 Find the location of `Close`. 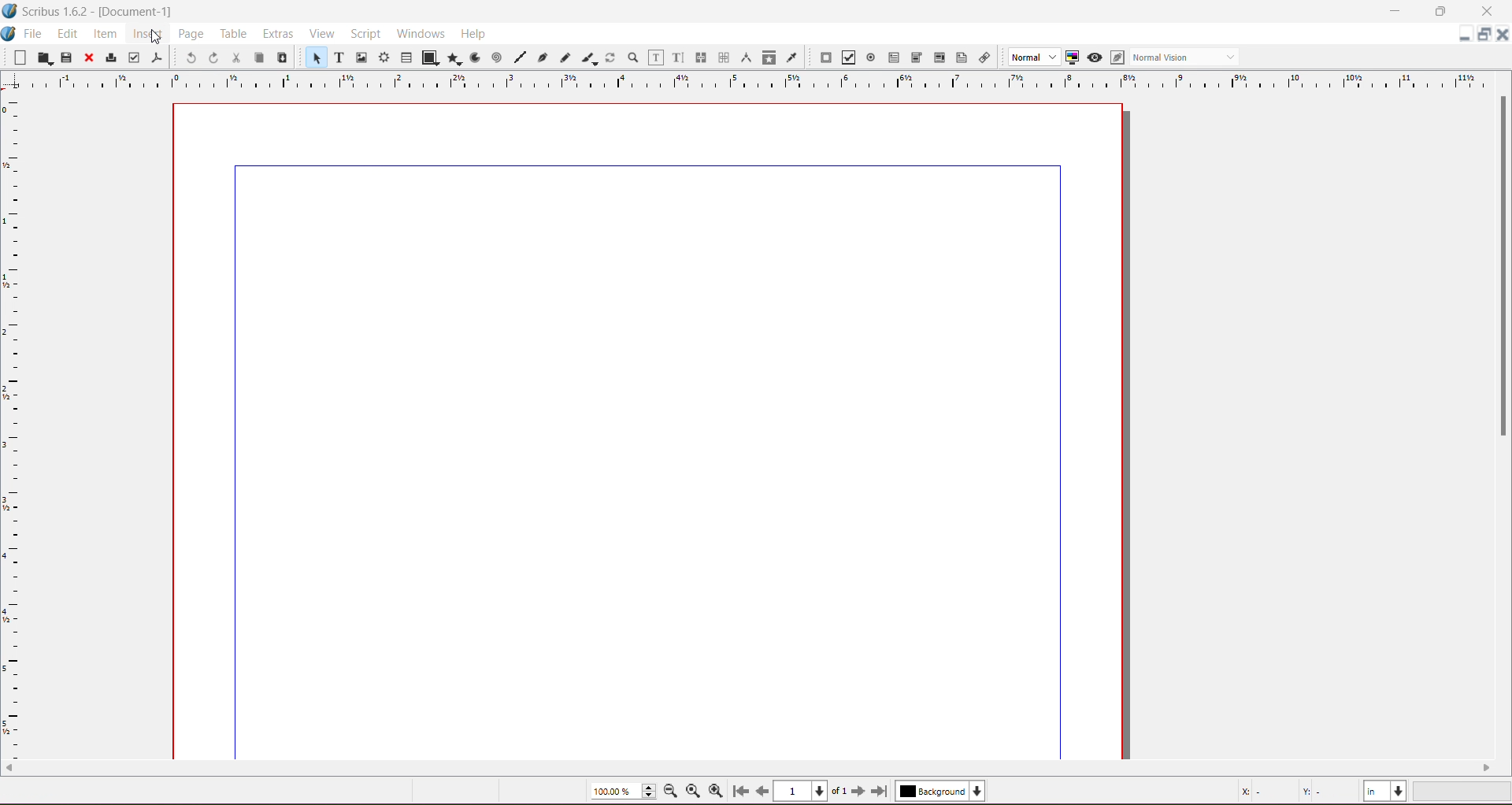

Close is located at coordinates (89, 58).